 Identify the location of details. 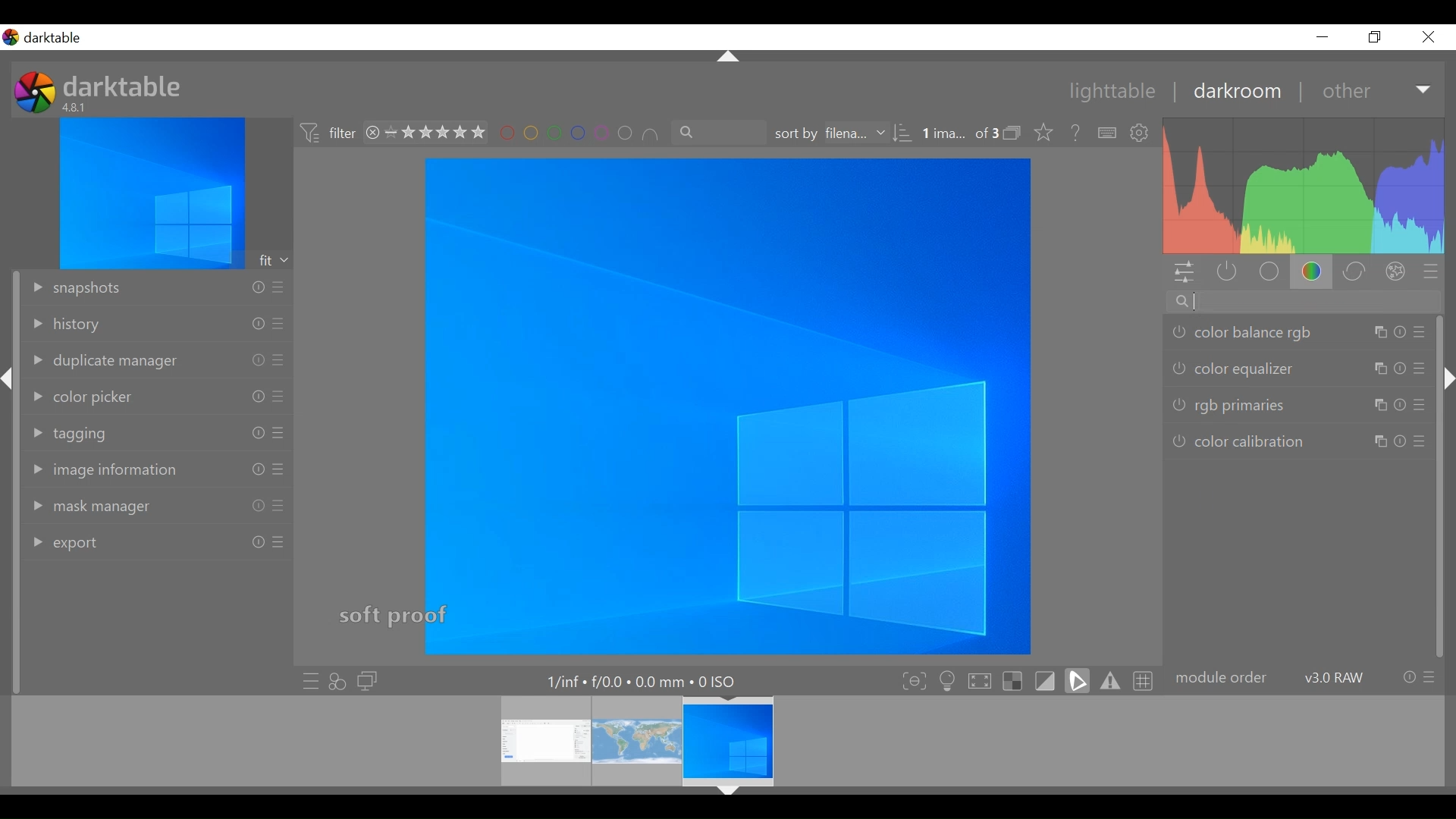
(645, 679).